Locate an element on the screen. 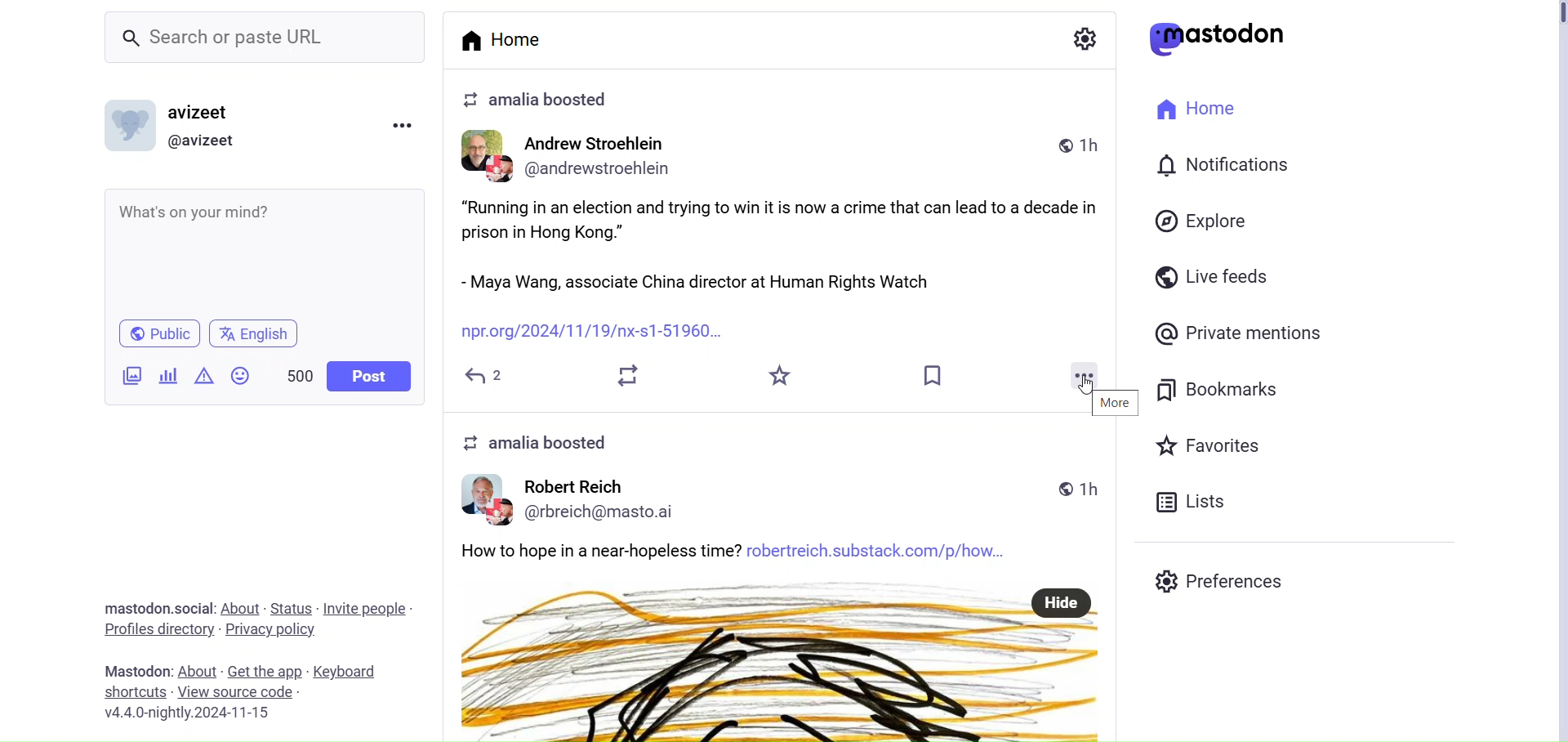 The image size is (1568, 742). Content Warning is located at coordinates (204, 375).